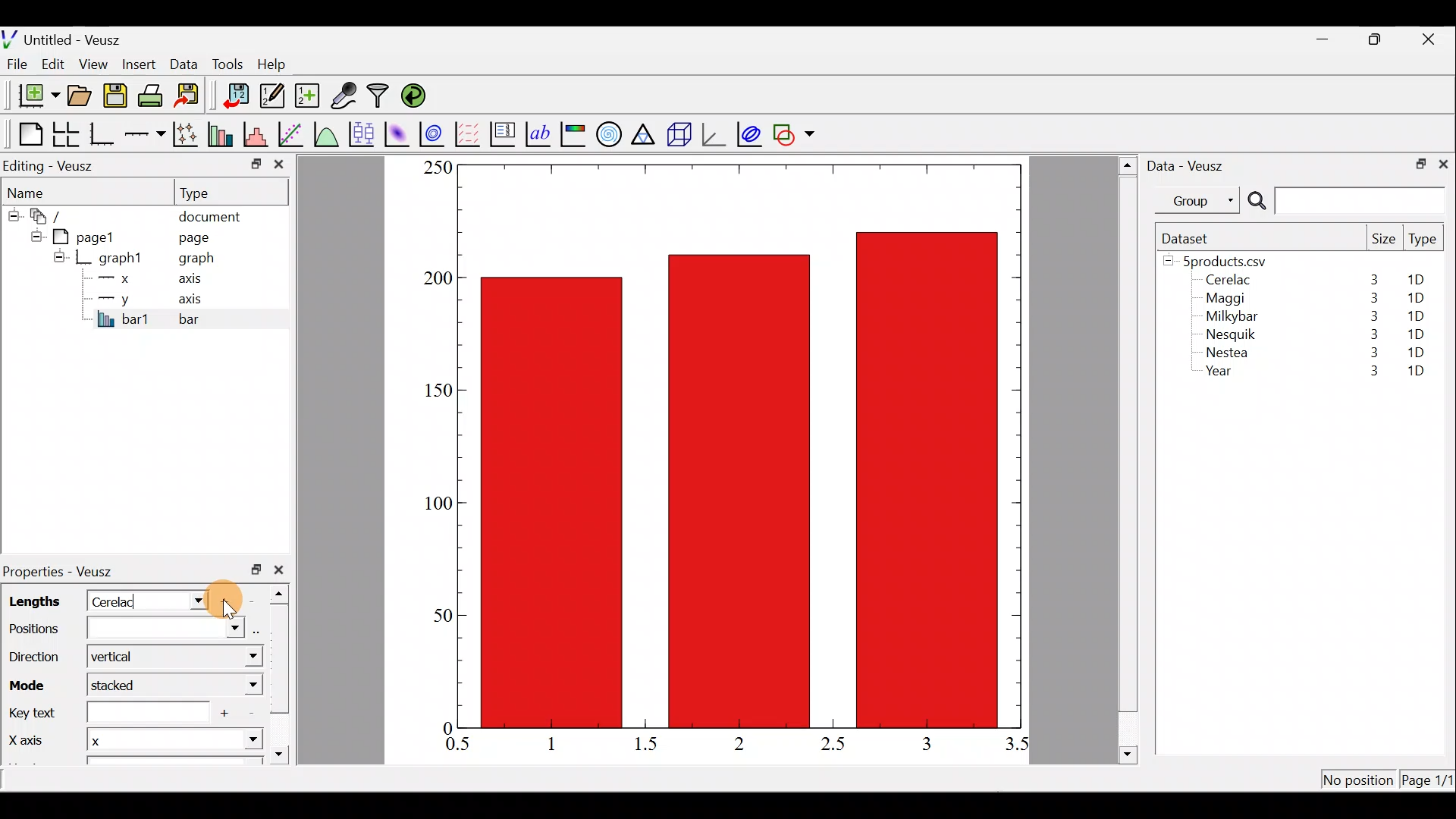 The image size is (1456, 819). I want to click on Reload linked datasets, so click(417, 95).